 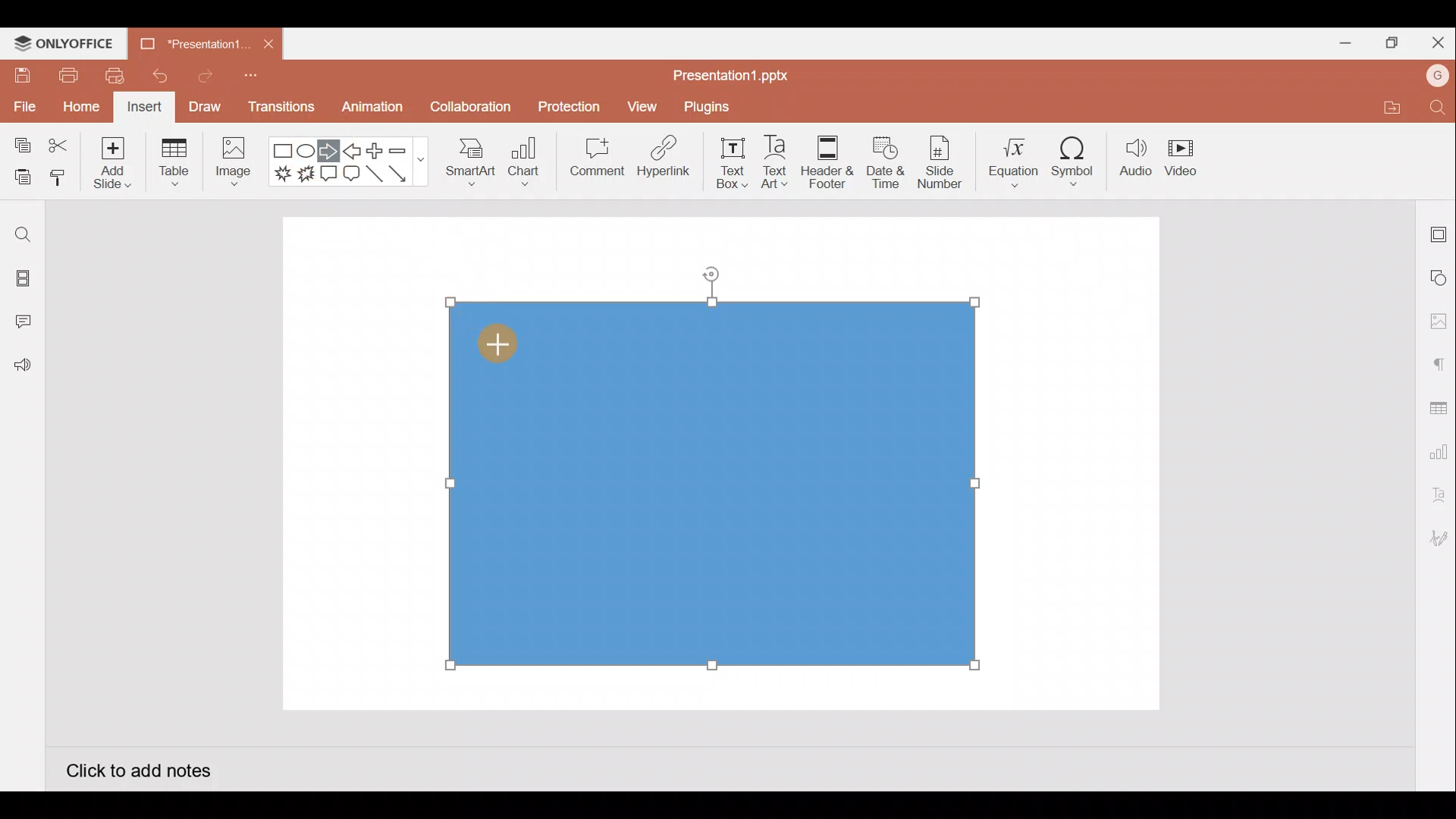 I want to click on Transitions, so click(x=282, y=111).